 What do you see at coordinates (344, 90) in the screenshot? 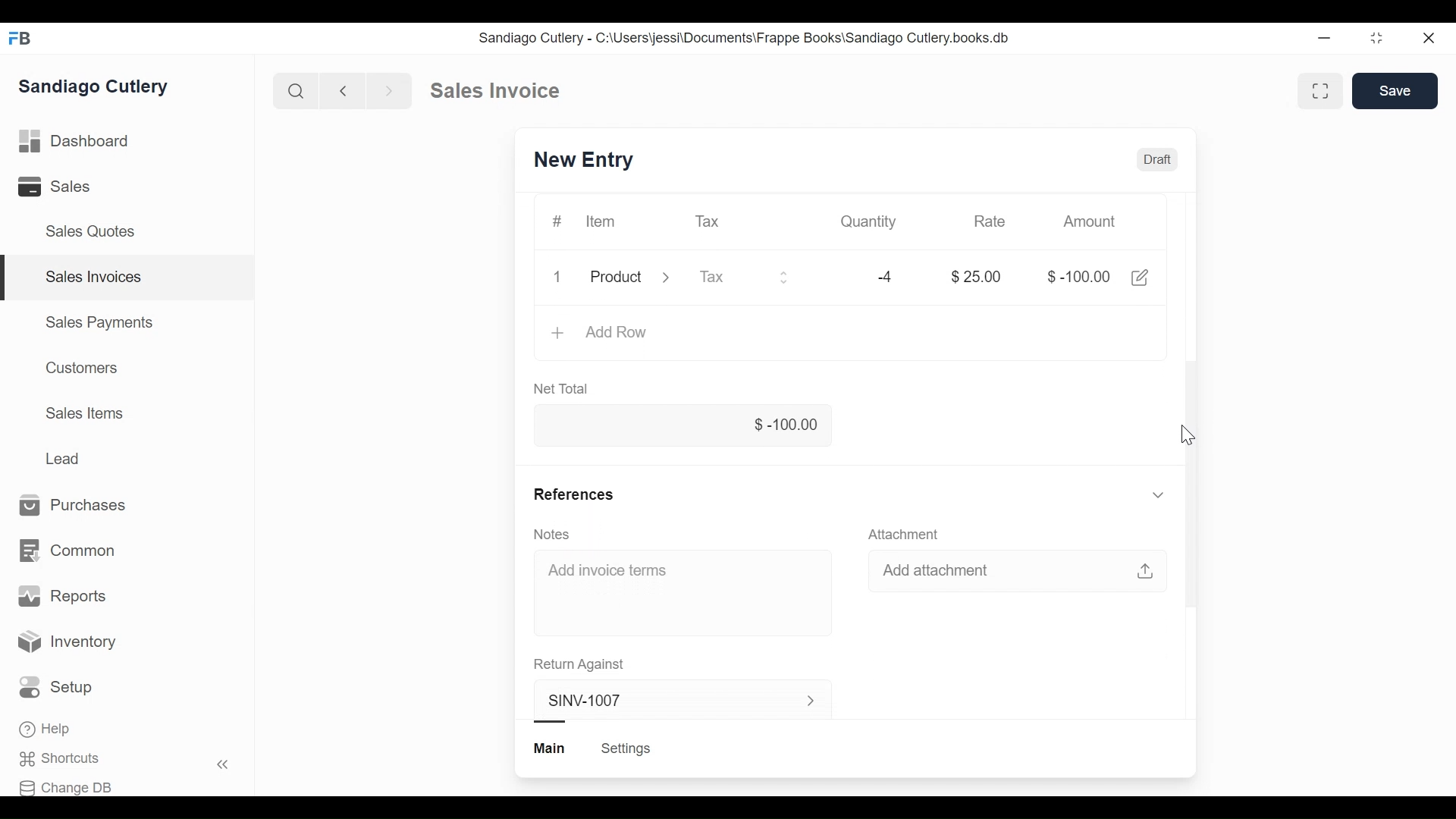
I see `Previous` at bounding box center [344, 90].